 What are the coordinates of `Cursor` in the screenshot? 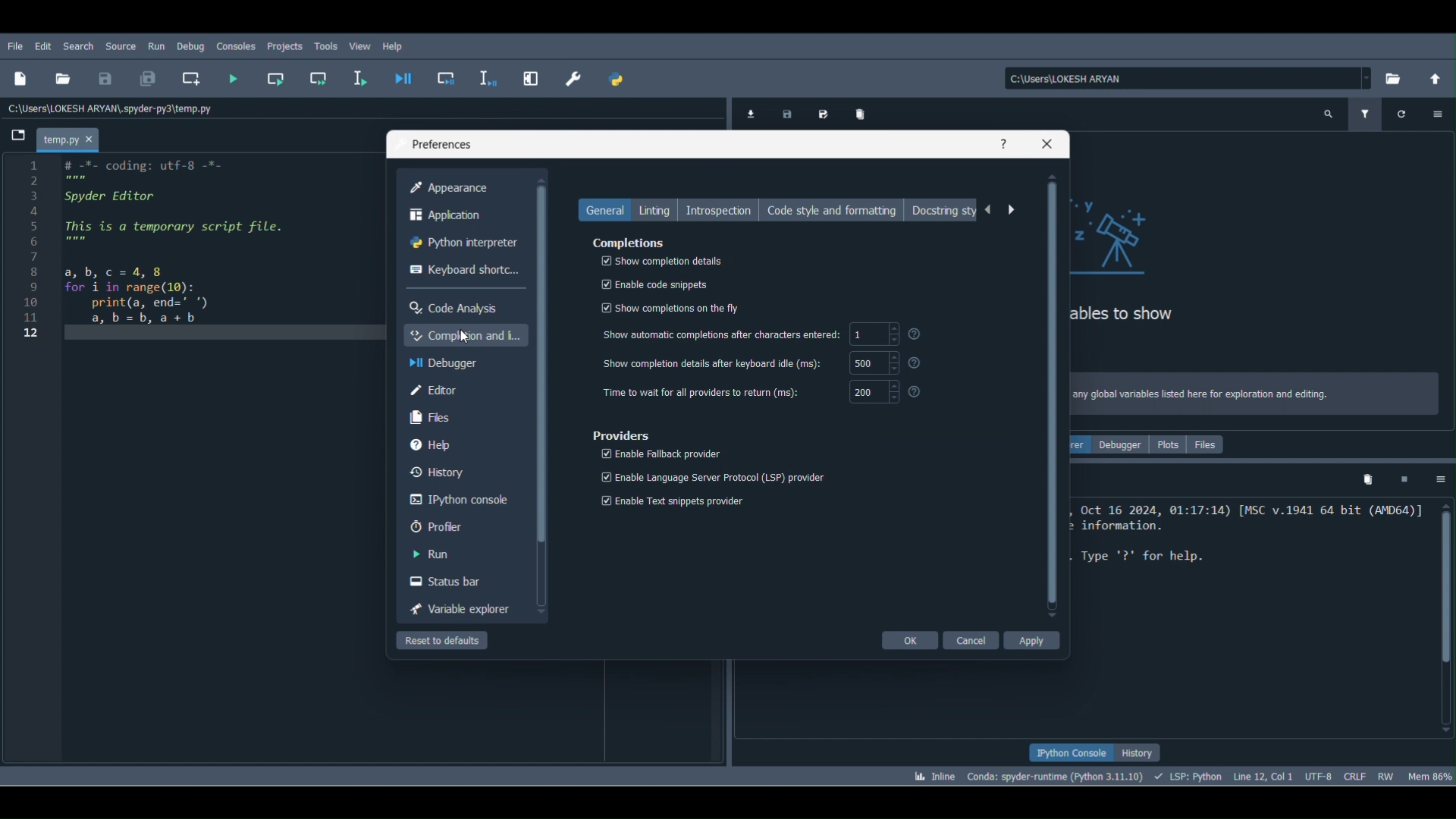 It's located at (464, 334).